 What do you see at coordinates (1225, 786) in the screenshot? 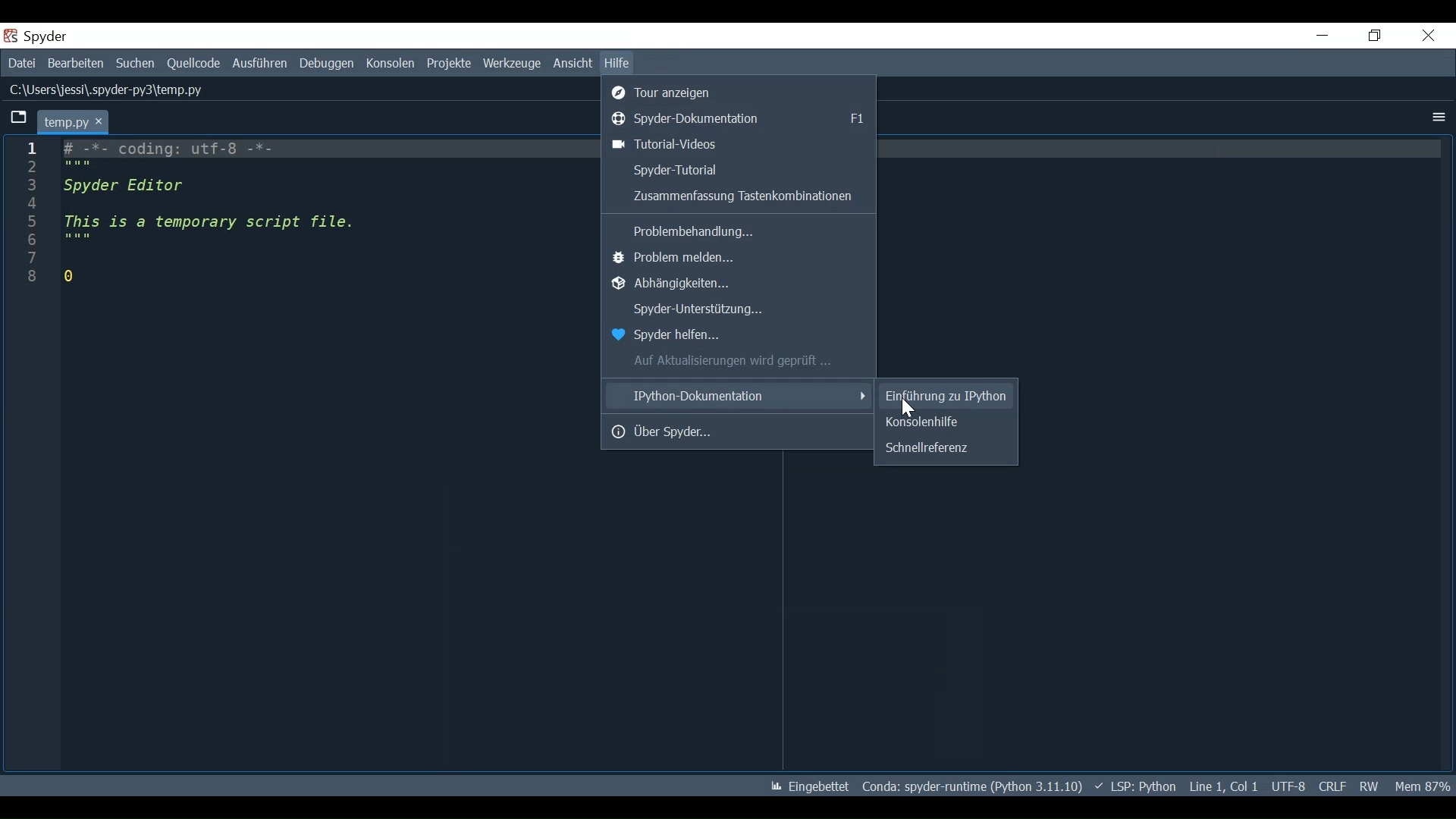
I see `Line1, col 1` at bounding box center [1225, 786].